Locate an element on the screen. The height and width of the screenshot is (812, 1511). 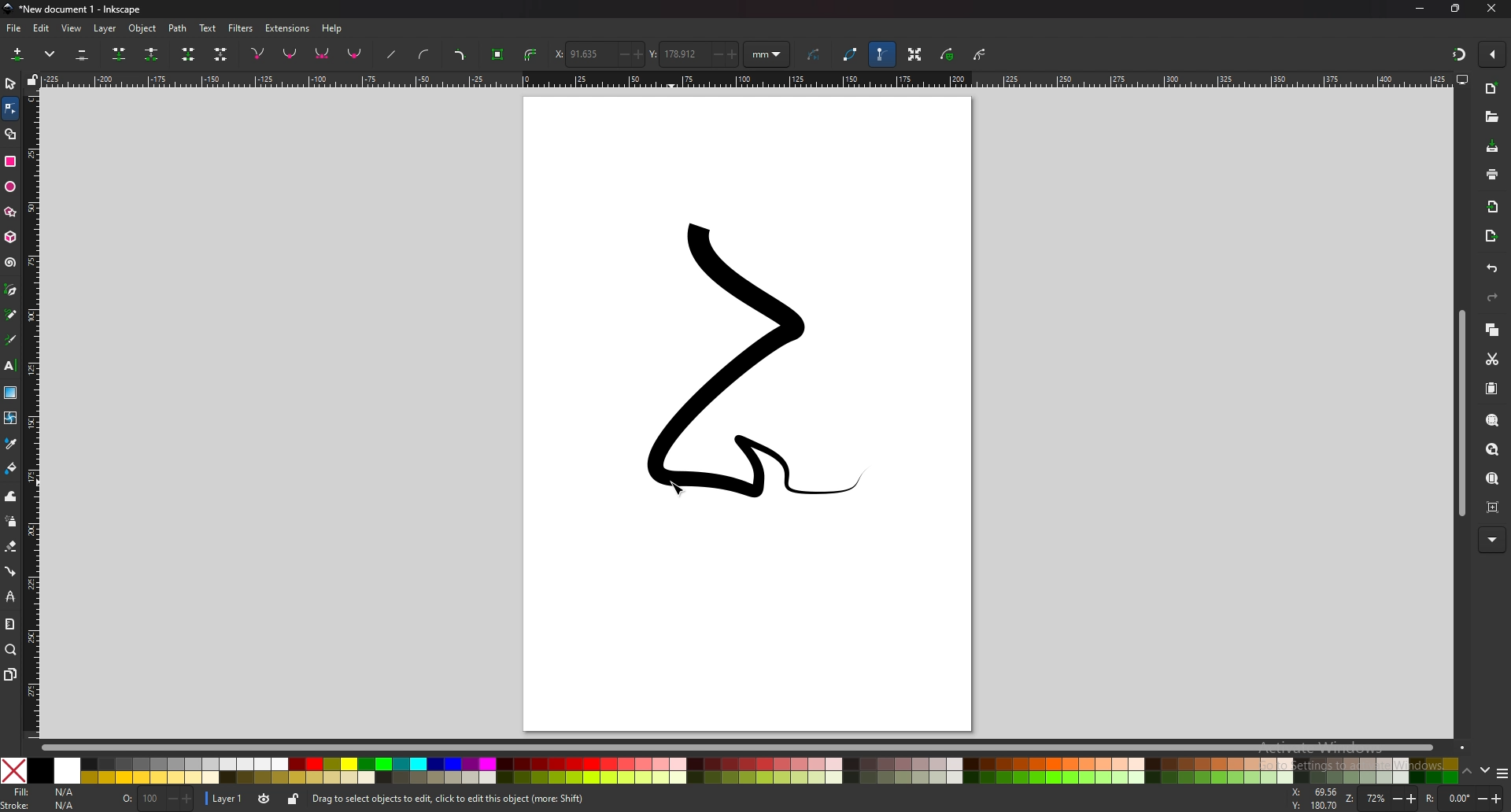
smooth is located at coordinates (291, 54).